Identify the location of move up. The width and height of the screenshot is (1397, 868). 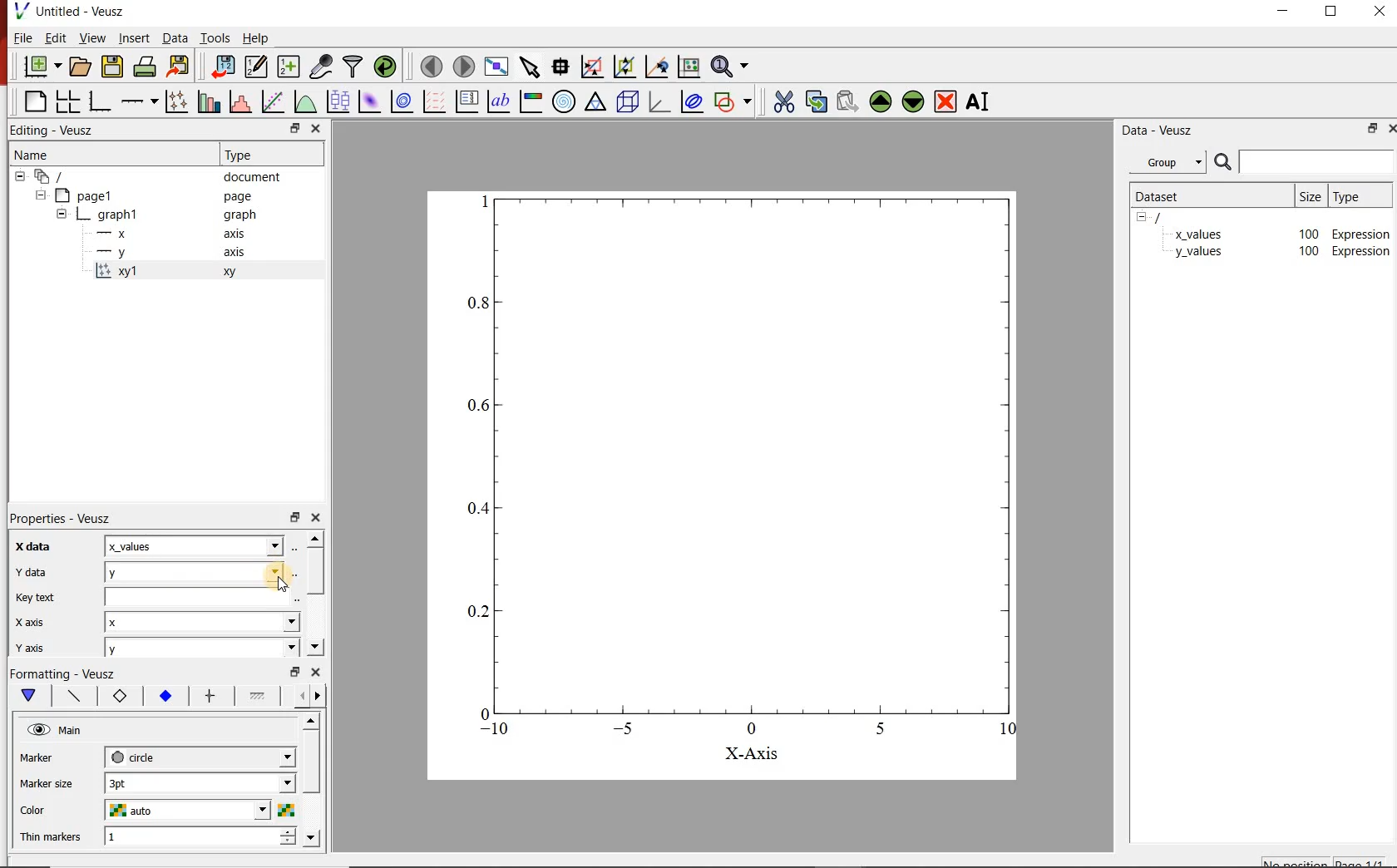
(310, 722).